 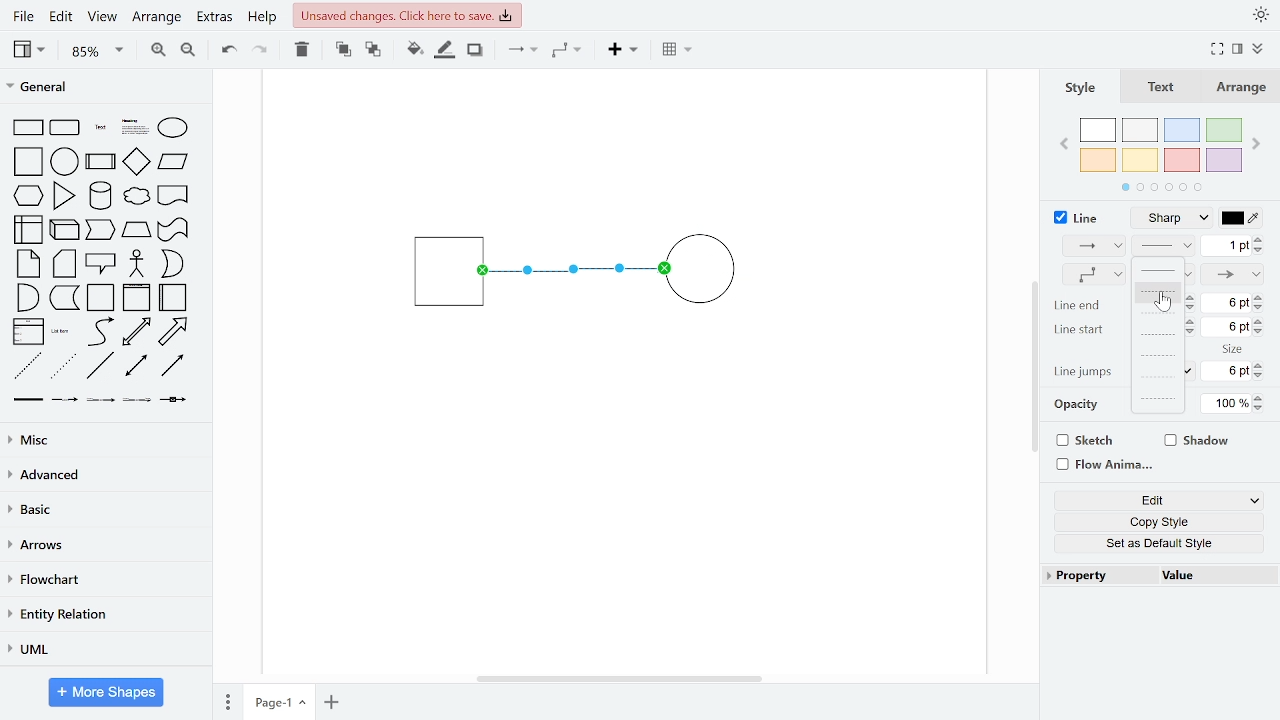 What do you see at coordinates (1156, 400) in the screenshot?
I see `dotted 3` at bounding box center [1156, 400].